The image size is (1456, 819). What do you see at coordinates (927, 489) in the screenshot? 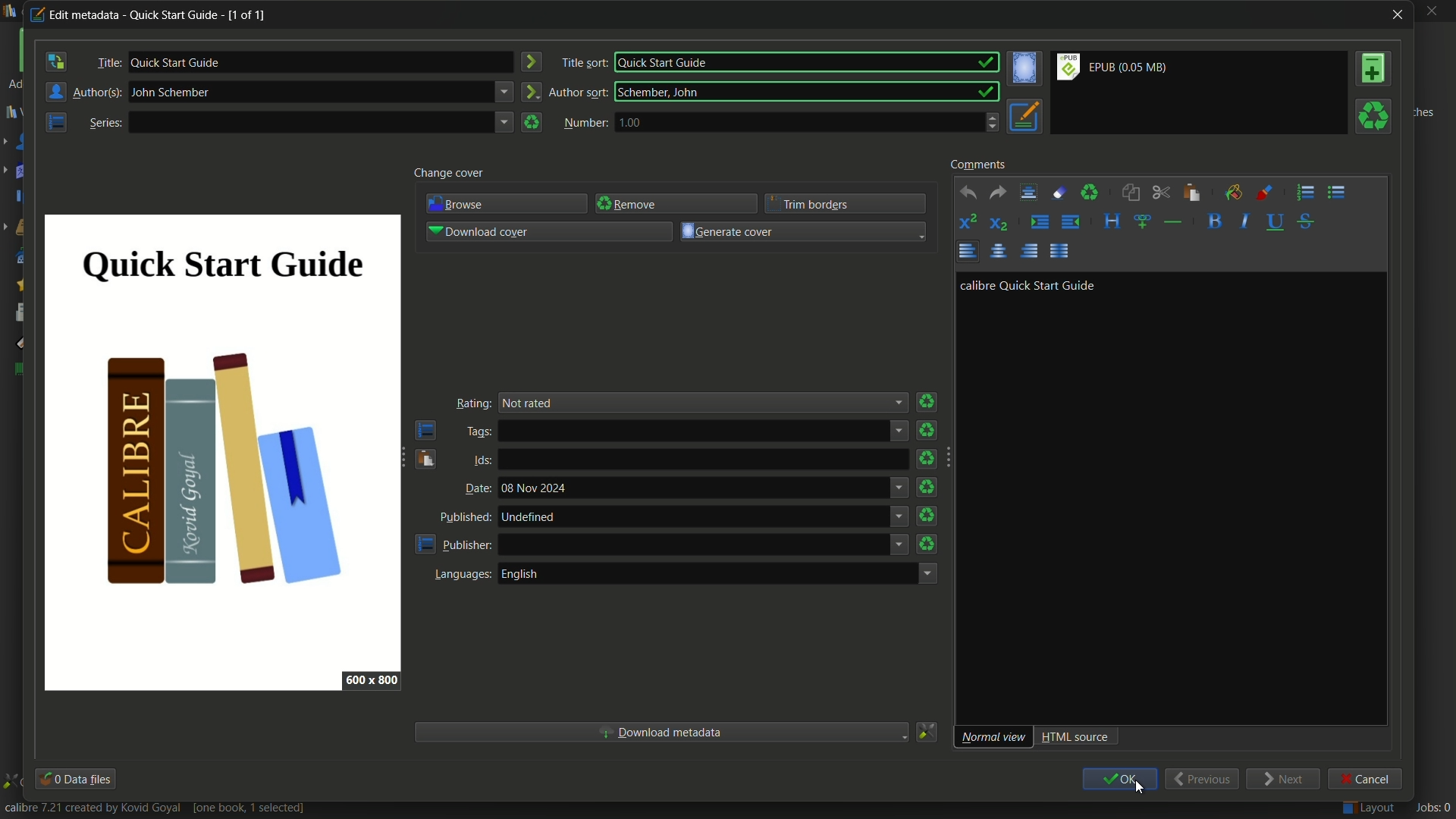
I see `remove` at bounding box center [927, 489].